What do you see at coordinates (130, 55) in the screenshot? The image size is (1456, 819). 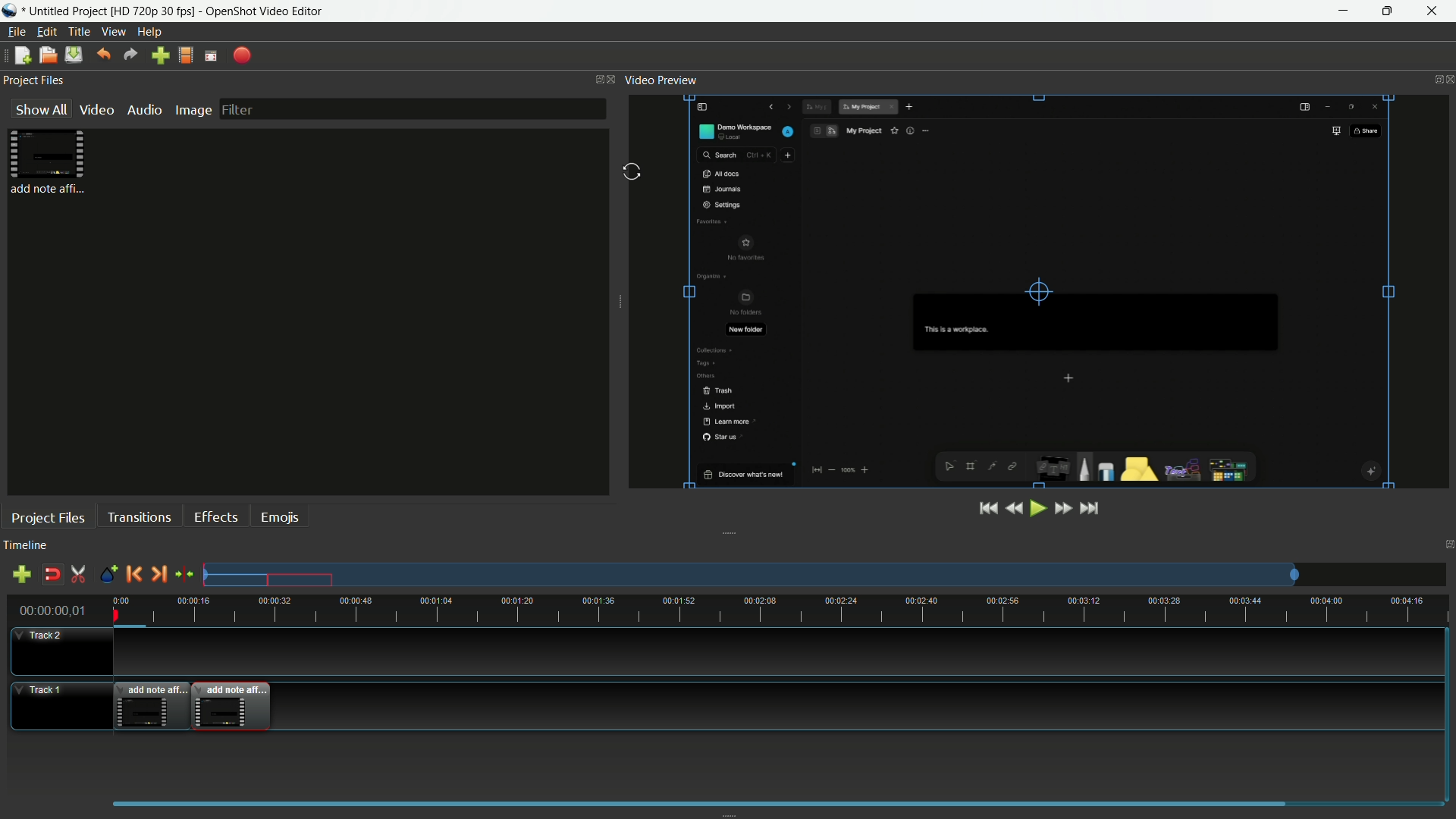 I see `redo` at bounding box center [130, 55].